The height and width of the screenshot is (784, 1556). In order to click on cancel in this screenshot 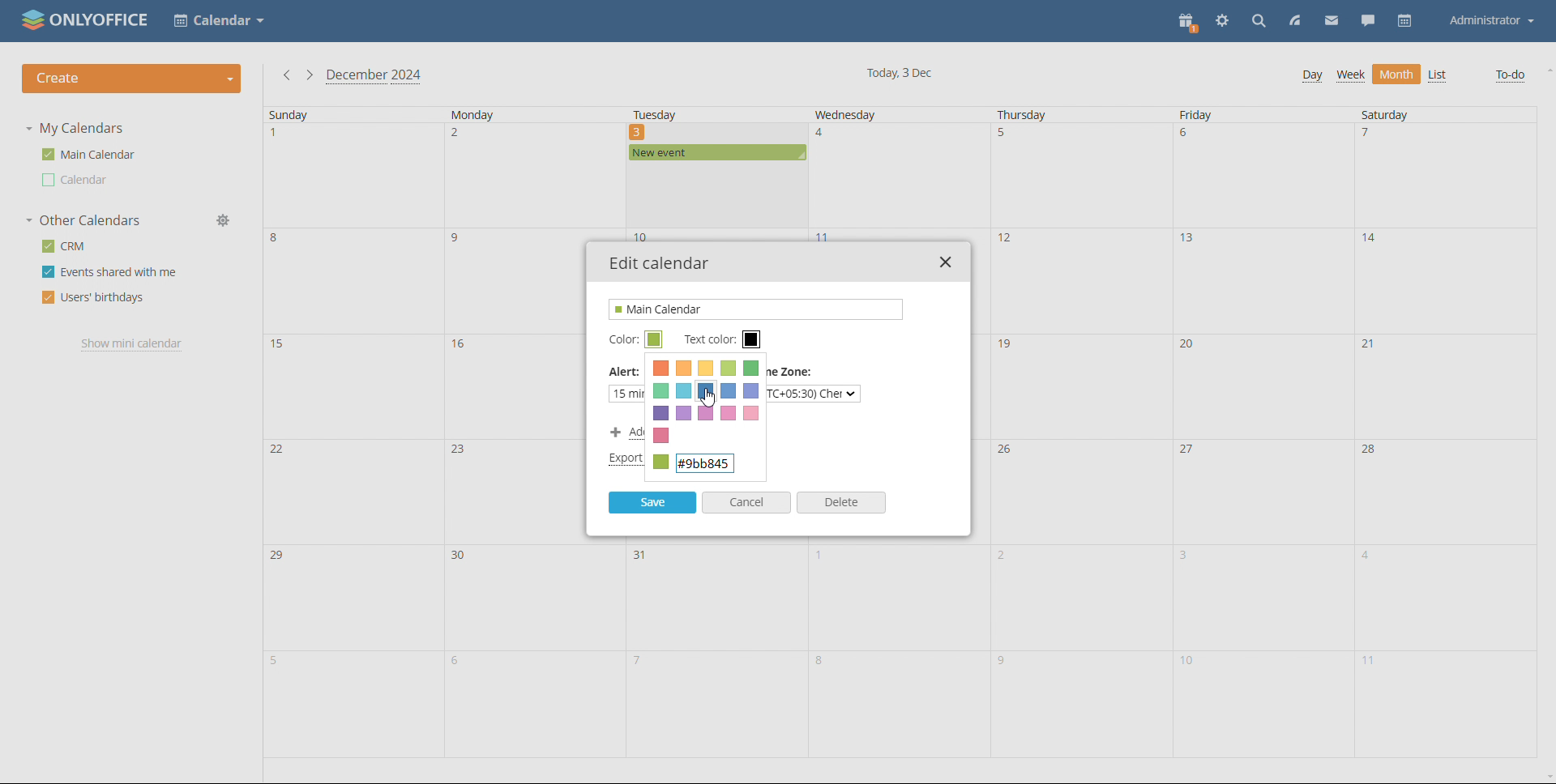, I will do `click(746, 502)`.